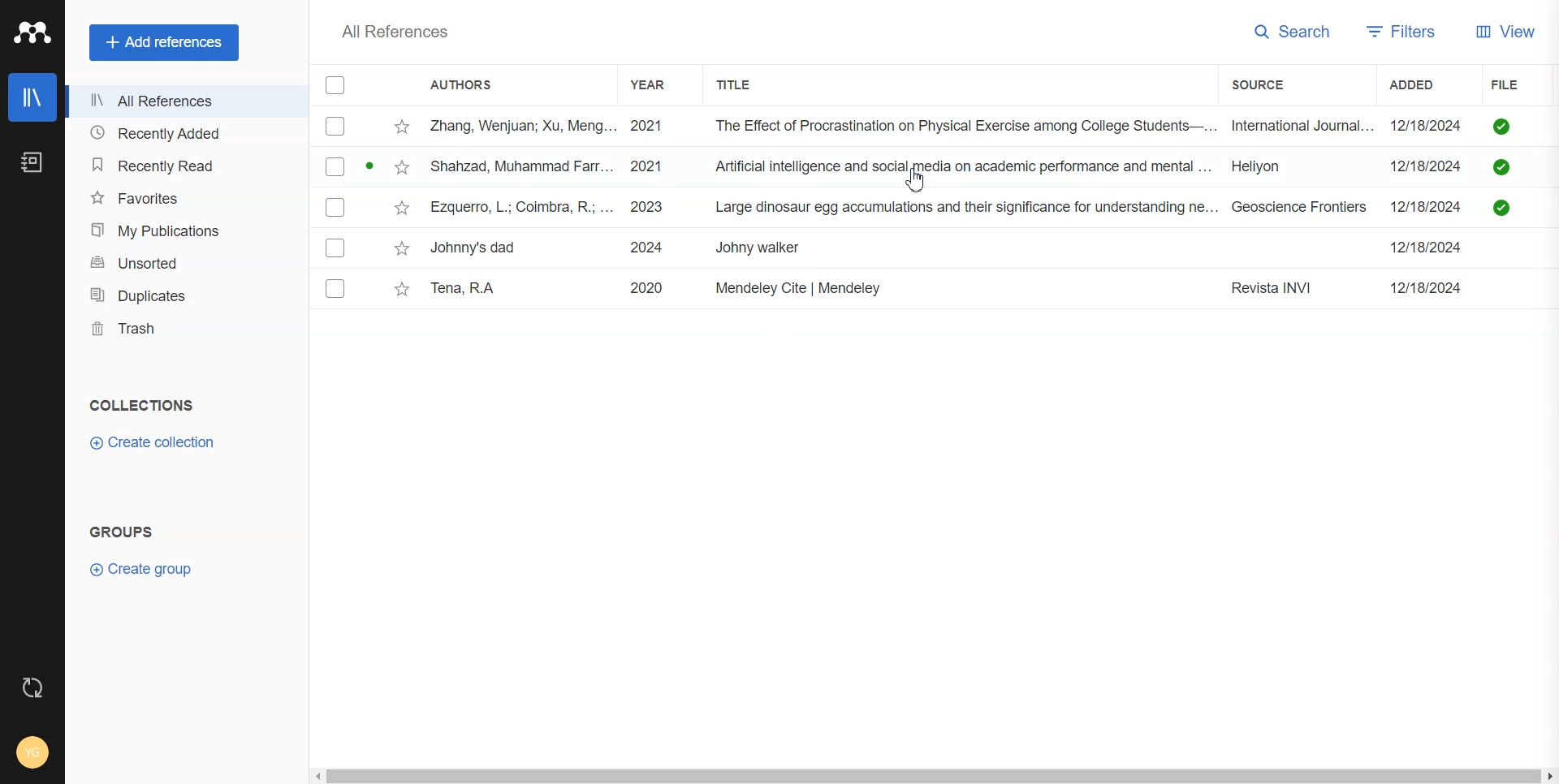  I want to click on Year, so click(661, 85).